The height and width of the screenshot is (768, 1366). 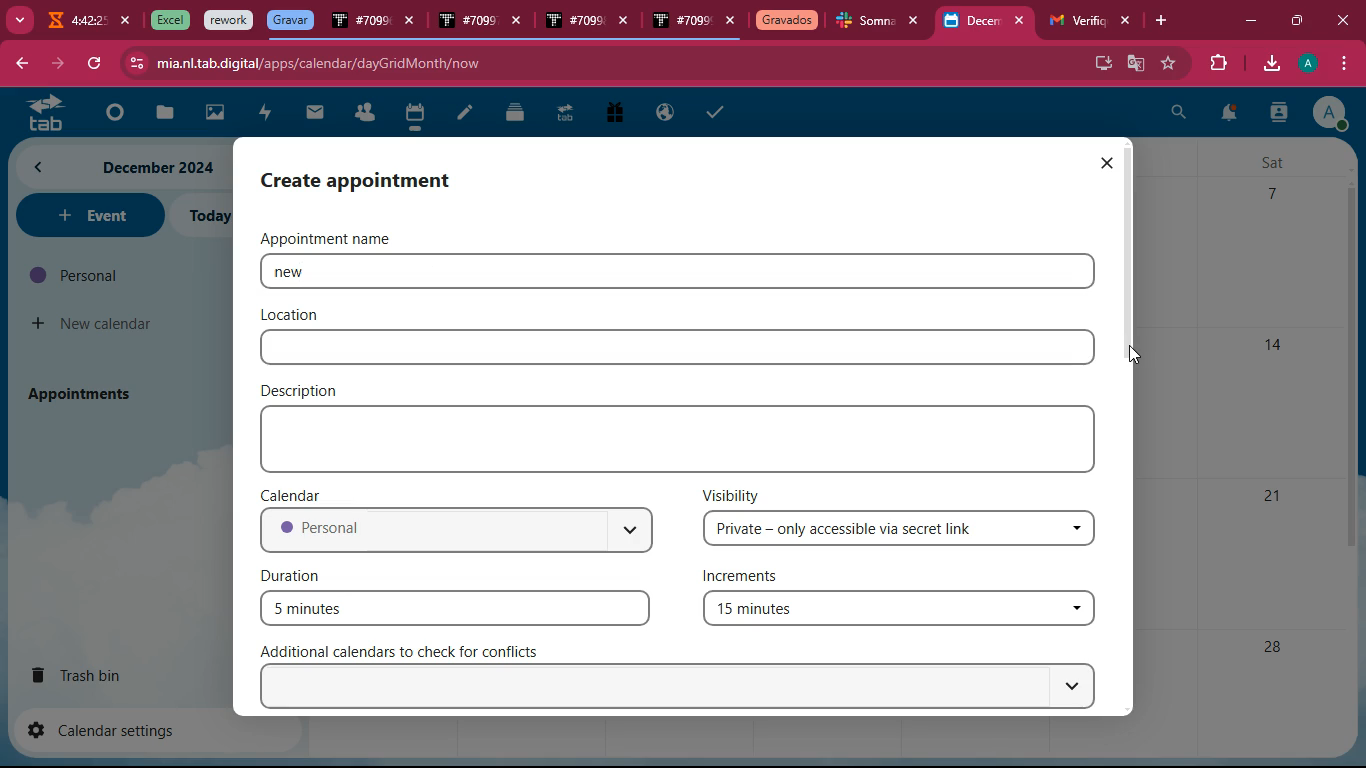 I want to click on profile, so click(x=1311, y=63).